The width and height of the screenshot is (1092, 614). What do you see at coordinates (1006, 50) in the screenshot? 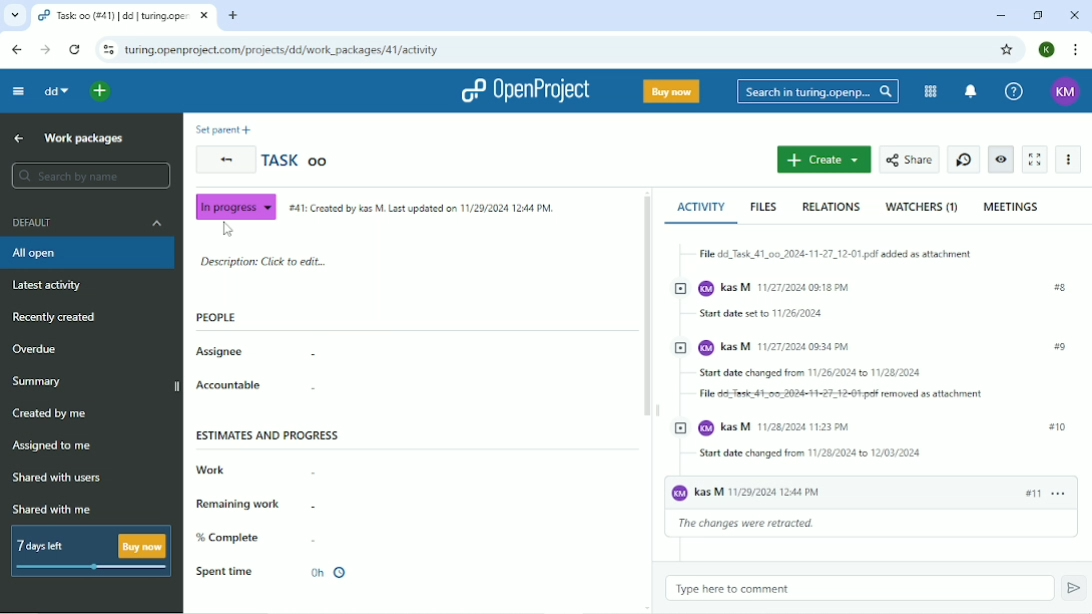
I see `Bookmark this tab` at bounding box center [1006, 50].